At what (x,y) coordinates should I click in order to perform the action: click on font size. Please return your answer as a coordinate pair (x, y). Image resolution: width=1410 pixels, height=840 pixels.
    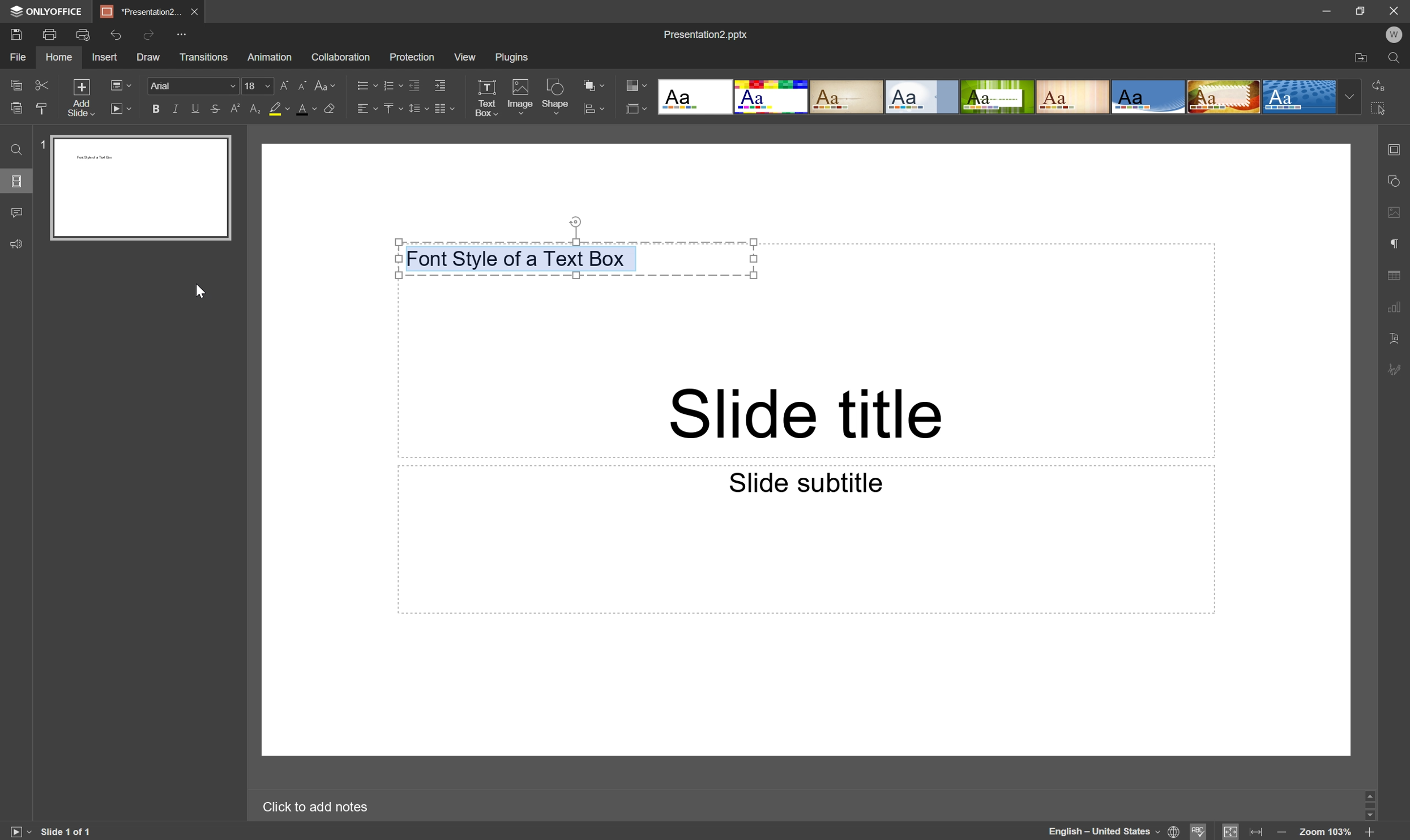
    Looking at the image, I should click on (258, 85).